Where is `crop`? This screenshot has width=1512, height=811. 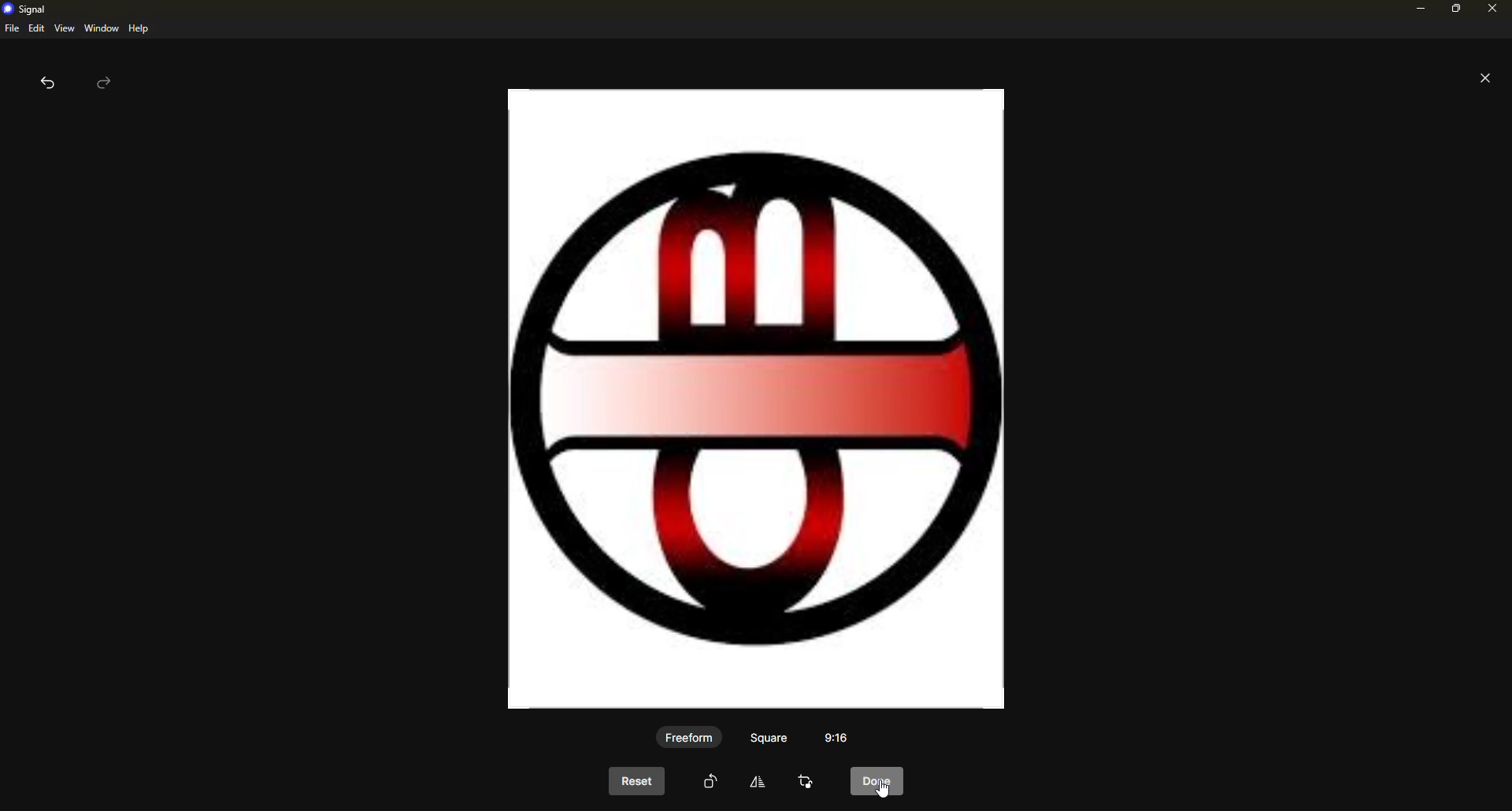
crop is located at coordinates (810, 783).